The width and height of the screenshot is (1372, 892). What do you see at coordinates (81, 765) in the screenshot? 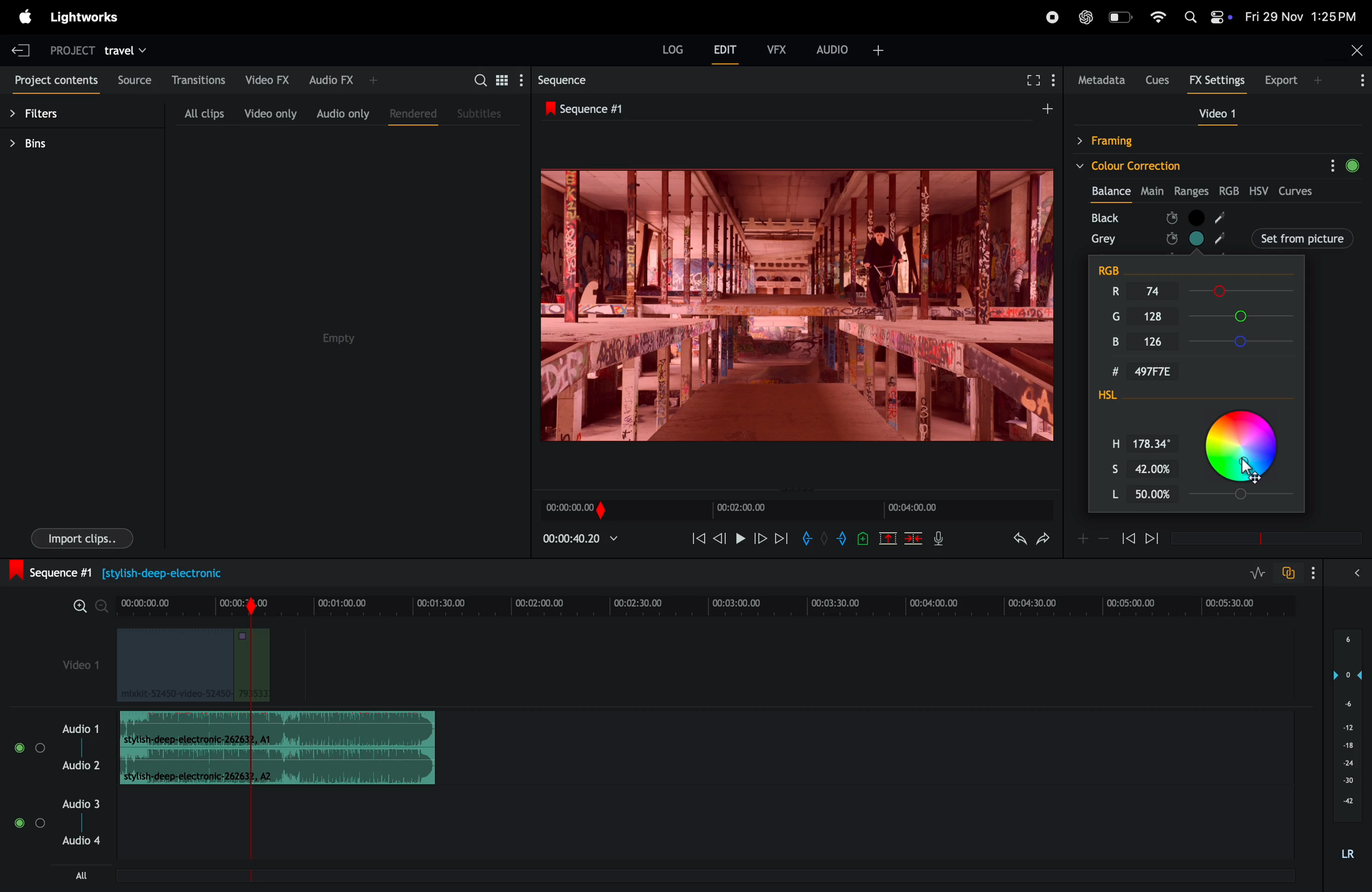
I see `Audio 2` at bounding box center [81, 765].